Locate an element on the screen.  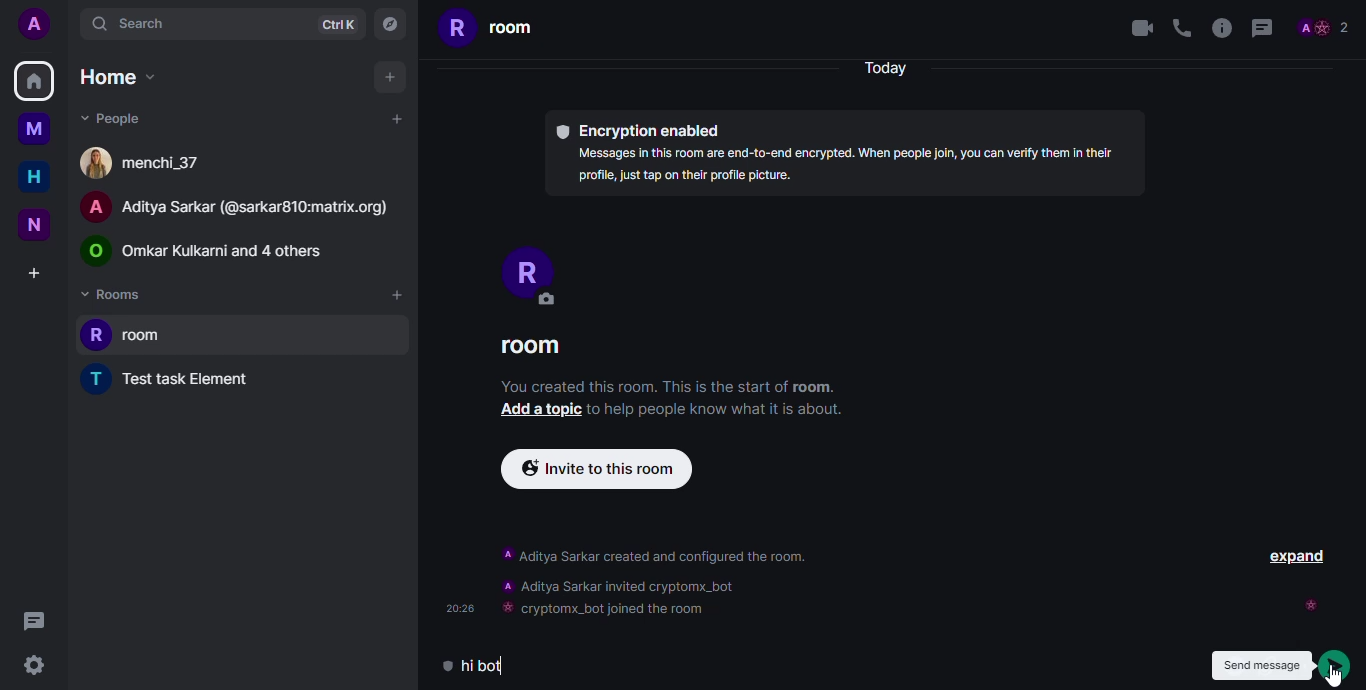
PEOPLE is located at coordinates (245, 205).